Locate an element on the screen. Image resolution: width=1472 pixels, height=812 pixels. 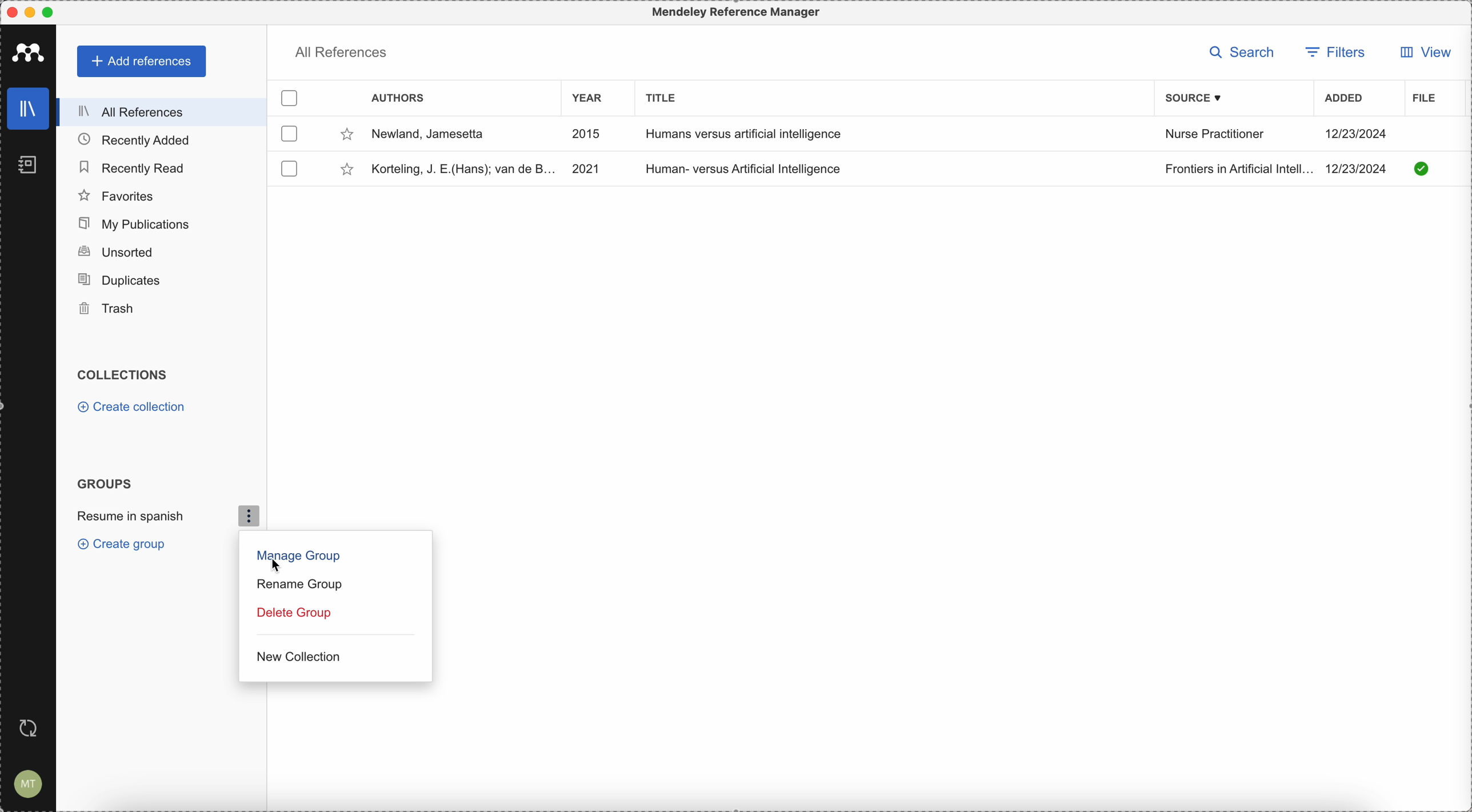
create group is located at coordinates (117, 545).